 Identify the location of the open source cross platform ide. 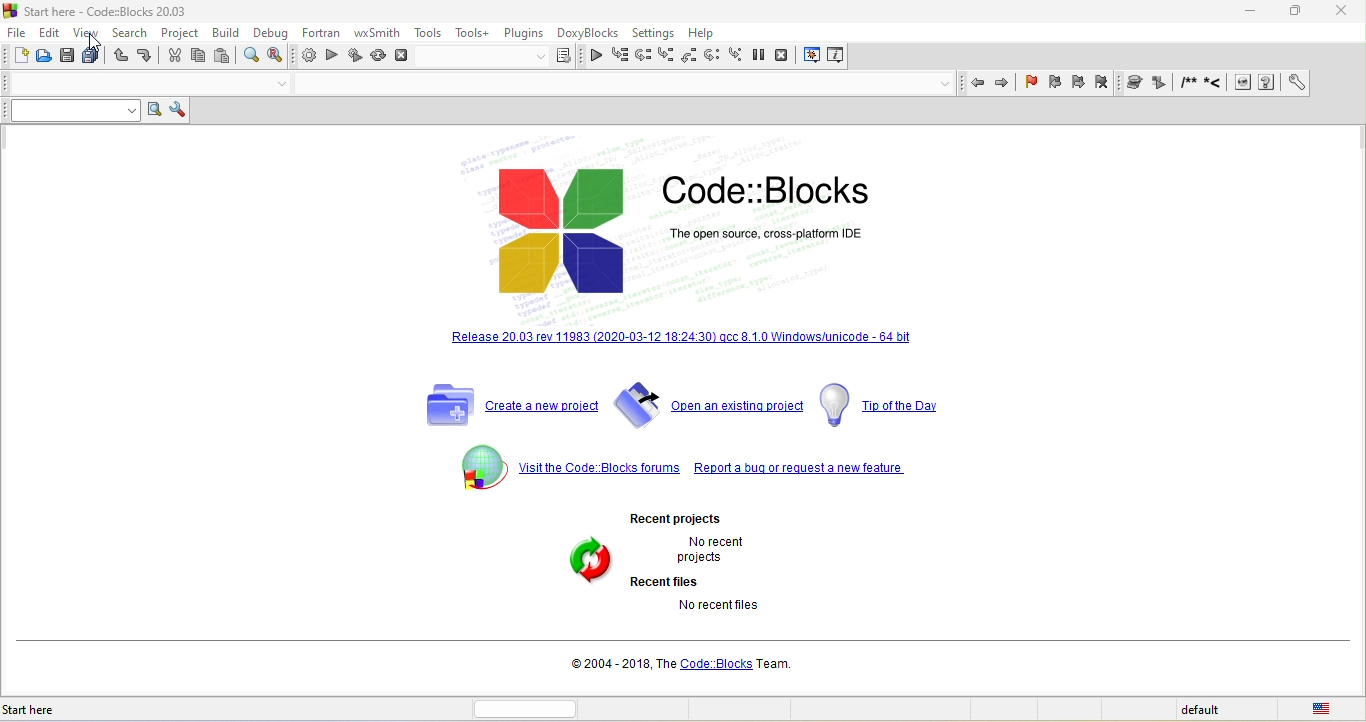
(774, 232).